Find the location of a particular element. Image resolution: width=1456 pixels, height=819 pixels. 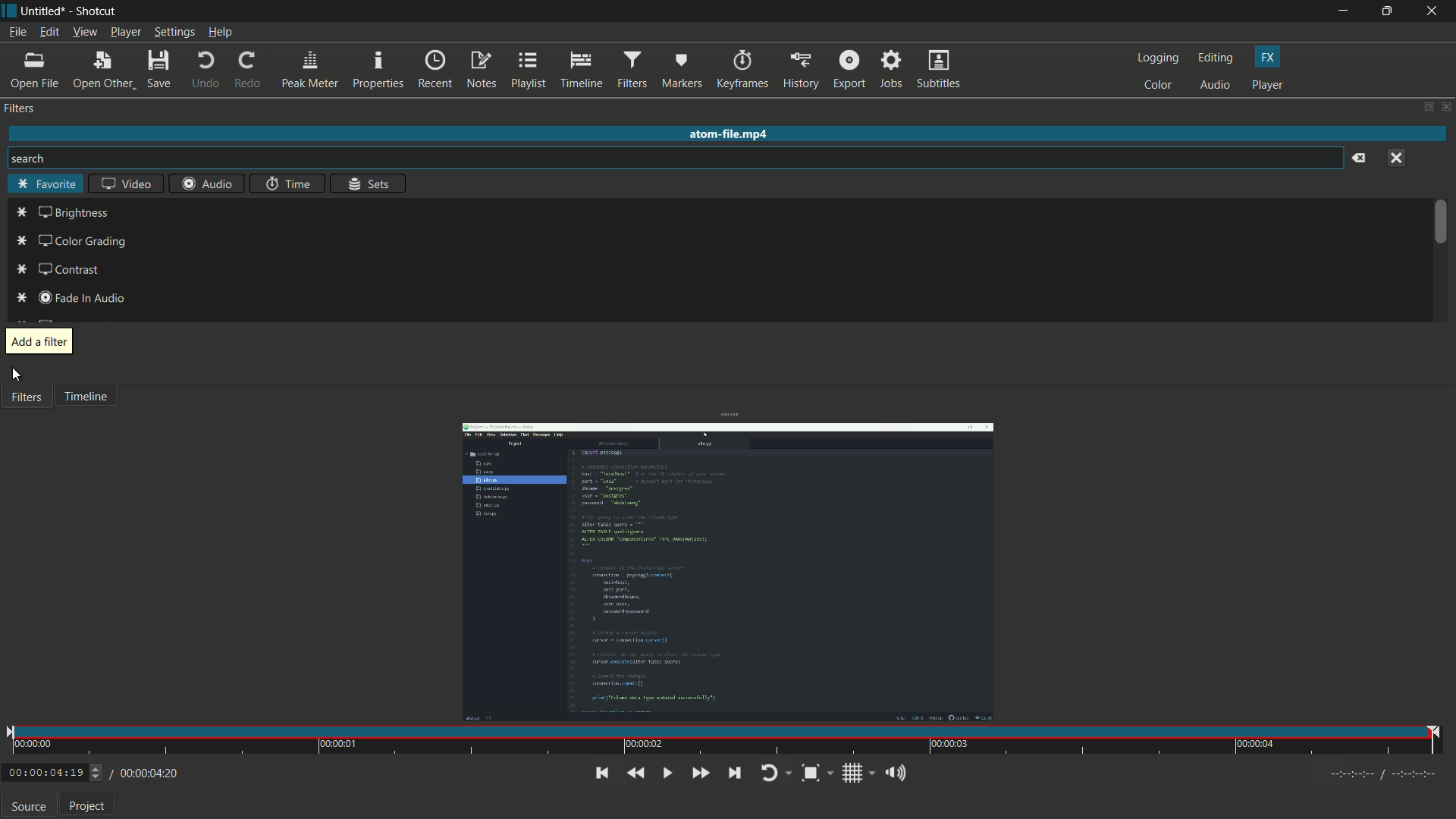

toggle player looping is located at coordinates (774, 774).